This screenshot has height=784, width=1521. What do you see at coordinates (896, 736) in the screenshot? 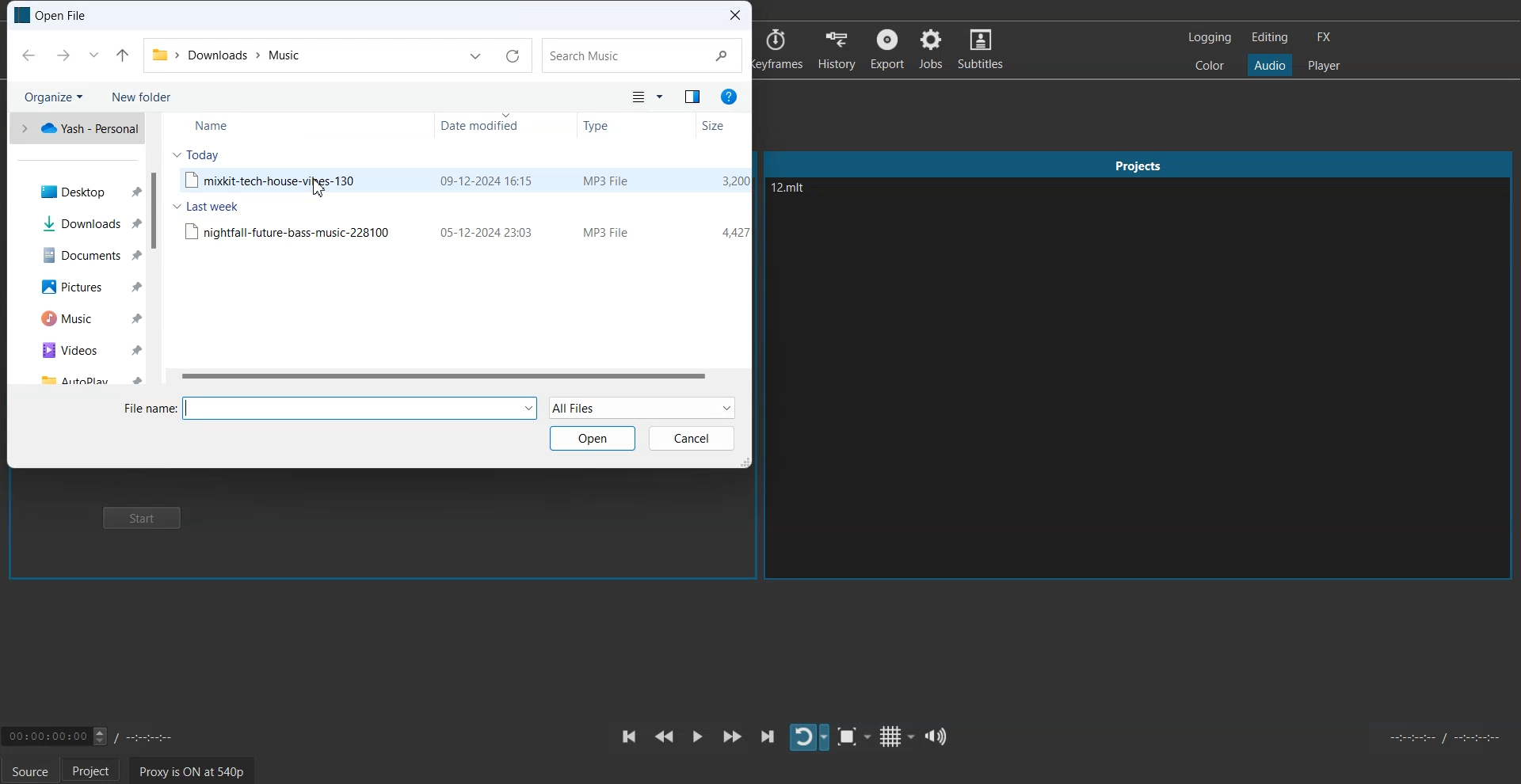
I see `Toggle grid display` at bounding box center [896, 736].